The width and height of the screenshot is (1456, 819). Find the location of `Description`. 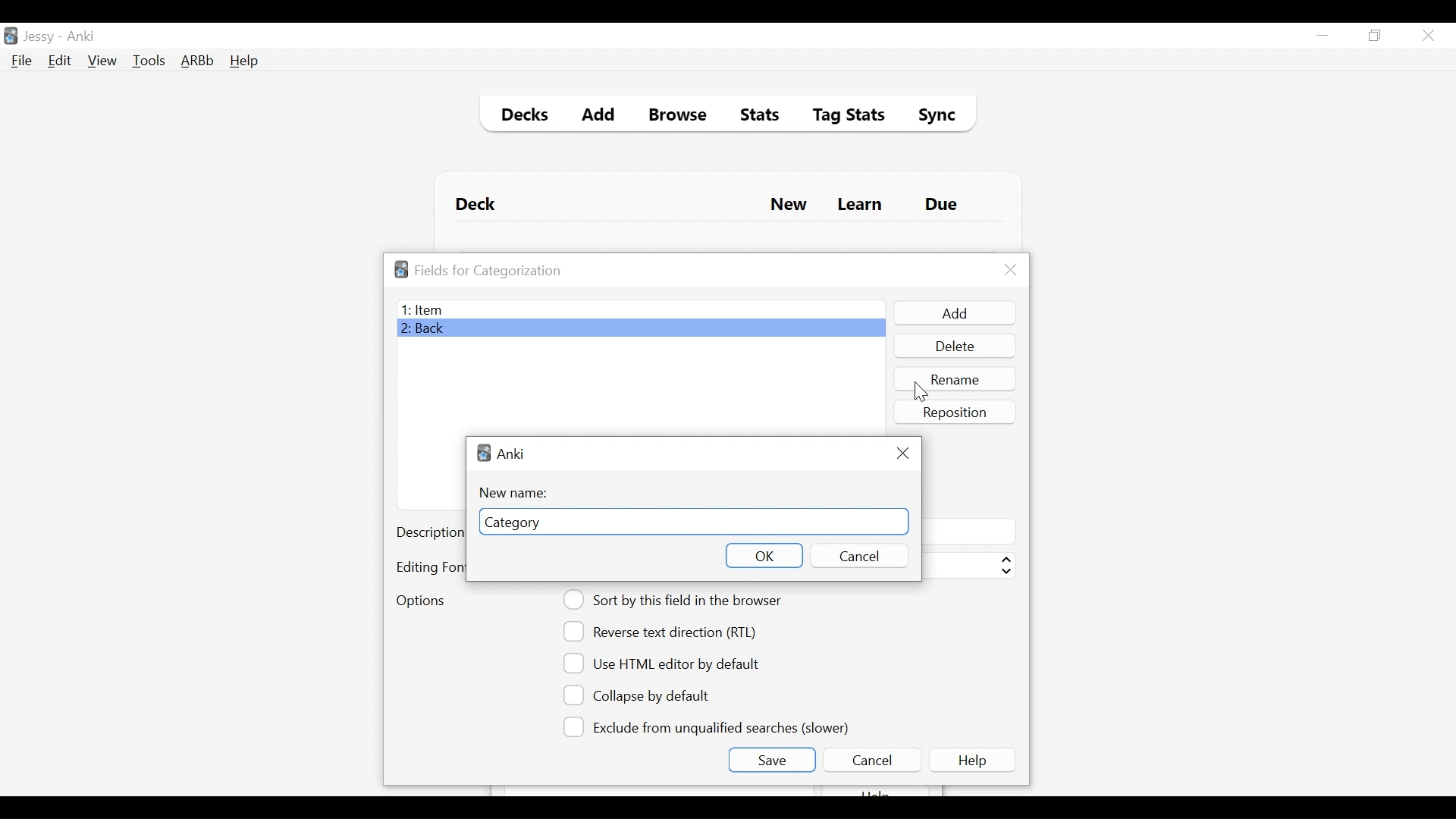

Description is located at coordinates (429, 534).